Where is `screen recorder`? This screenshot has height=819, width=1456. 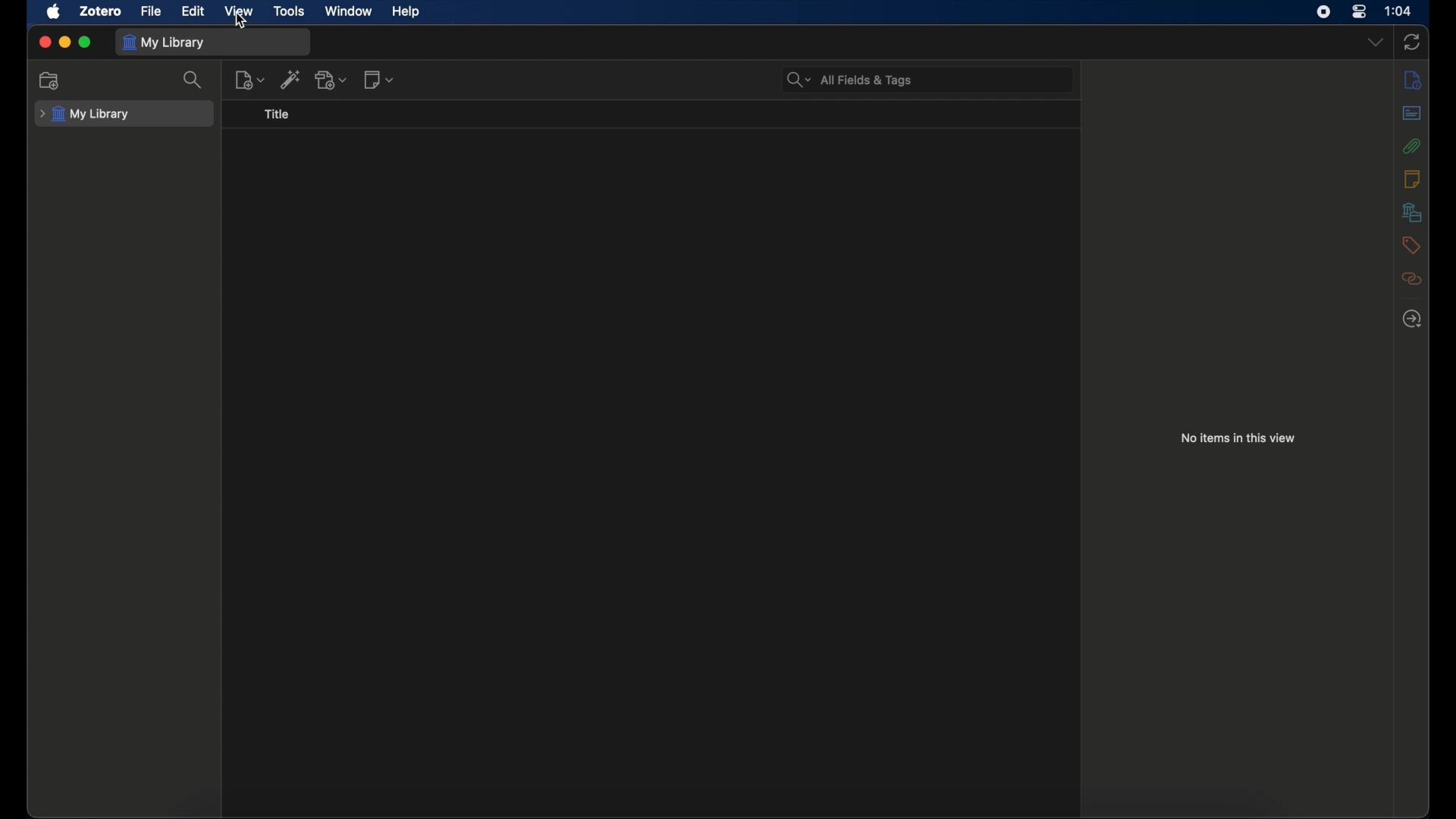
screen recorder is located at coordinates (1323, 12).